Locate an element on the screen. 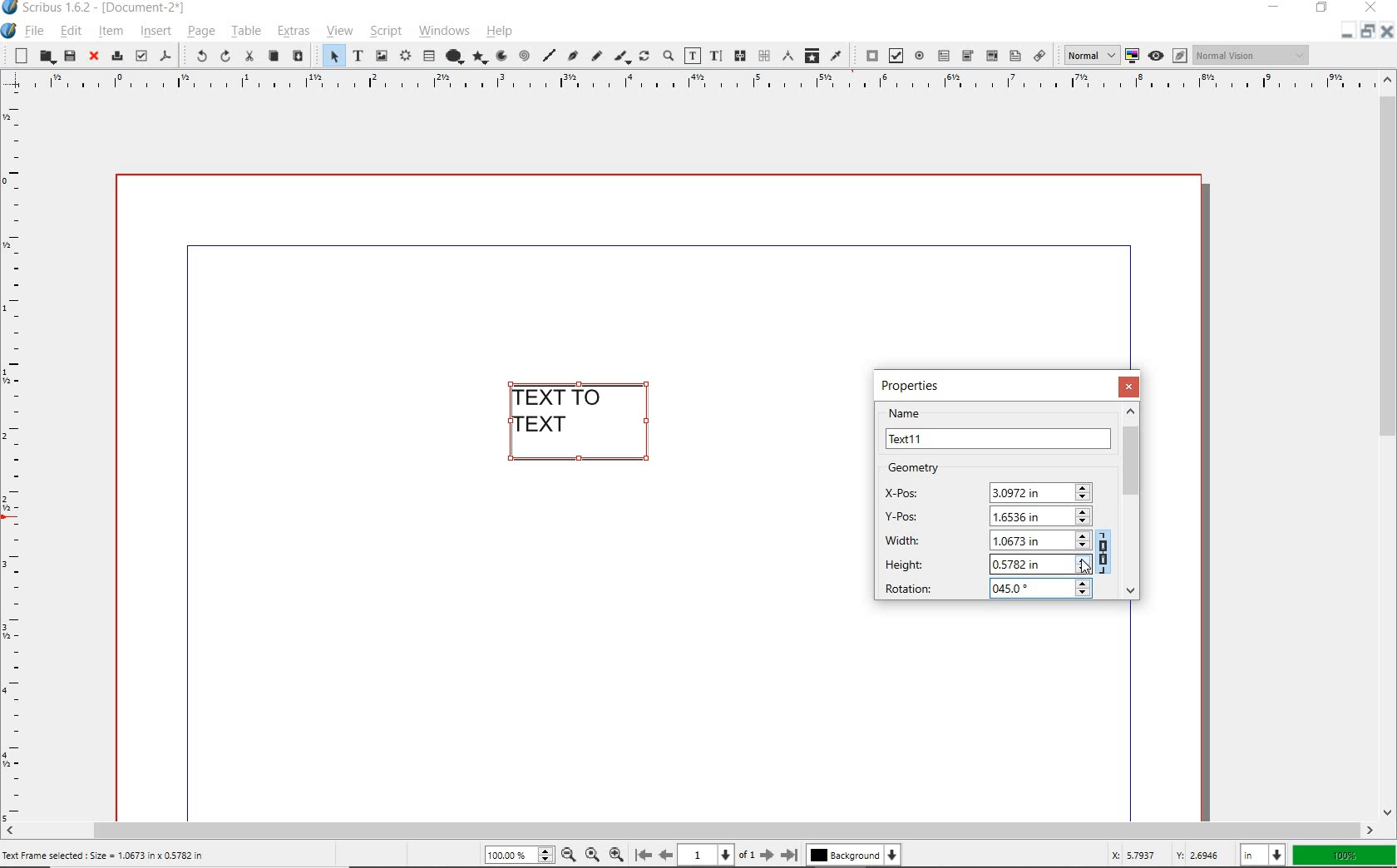 This screenshot has height=868, width=1397. table is located at coordinates (244, 31).